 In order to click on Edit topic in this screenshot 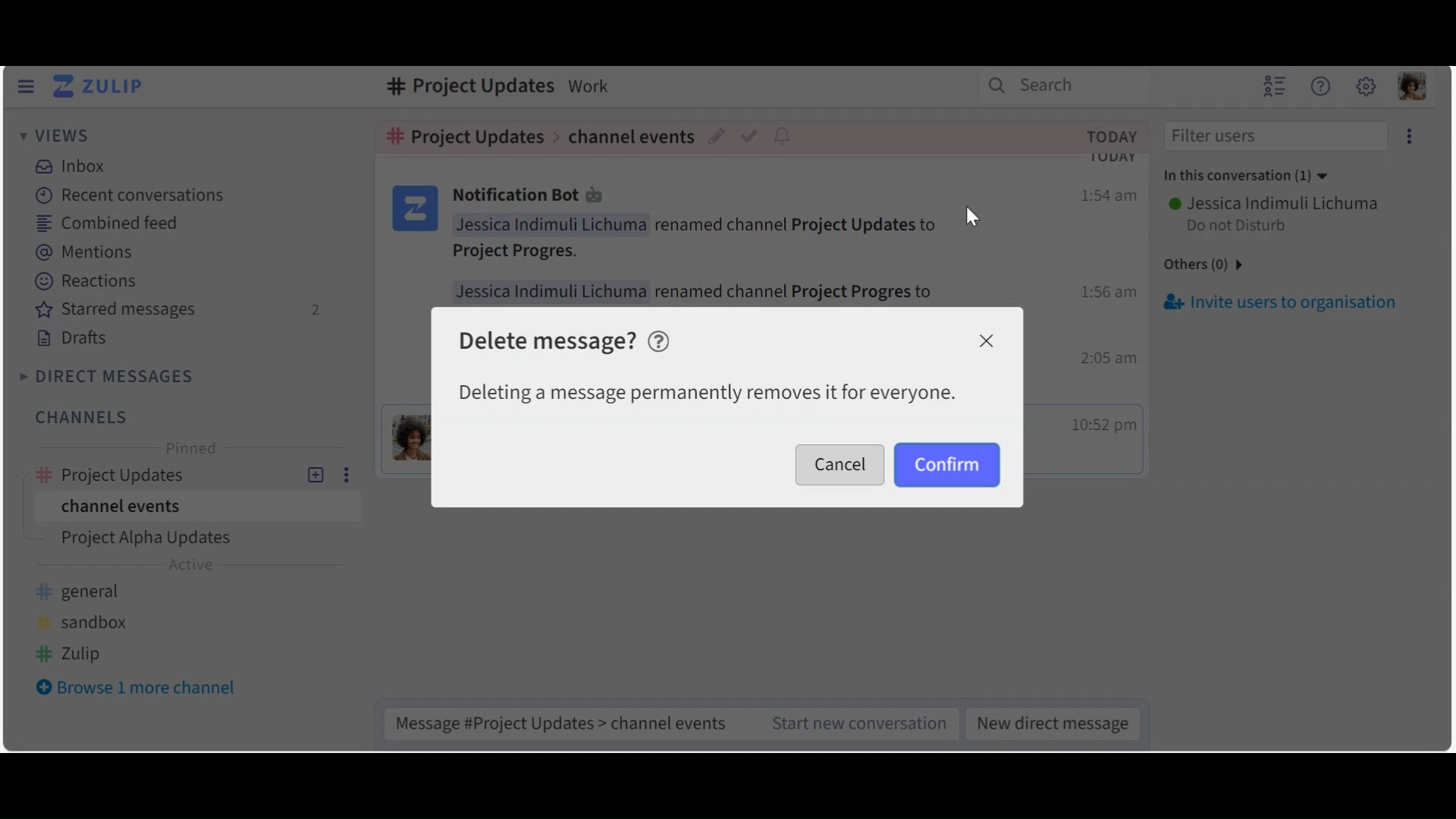, I will do `click(718, 137)`.